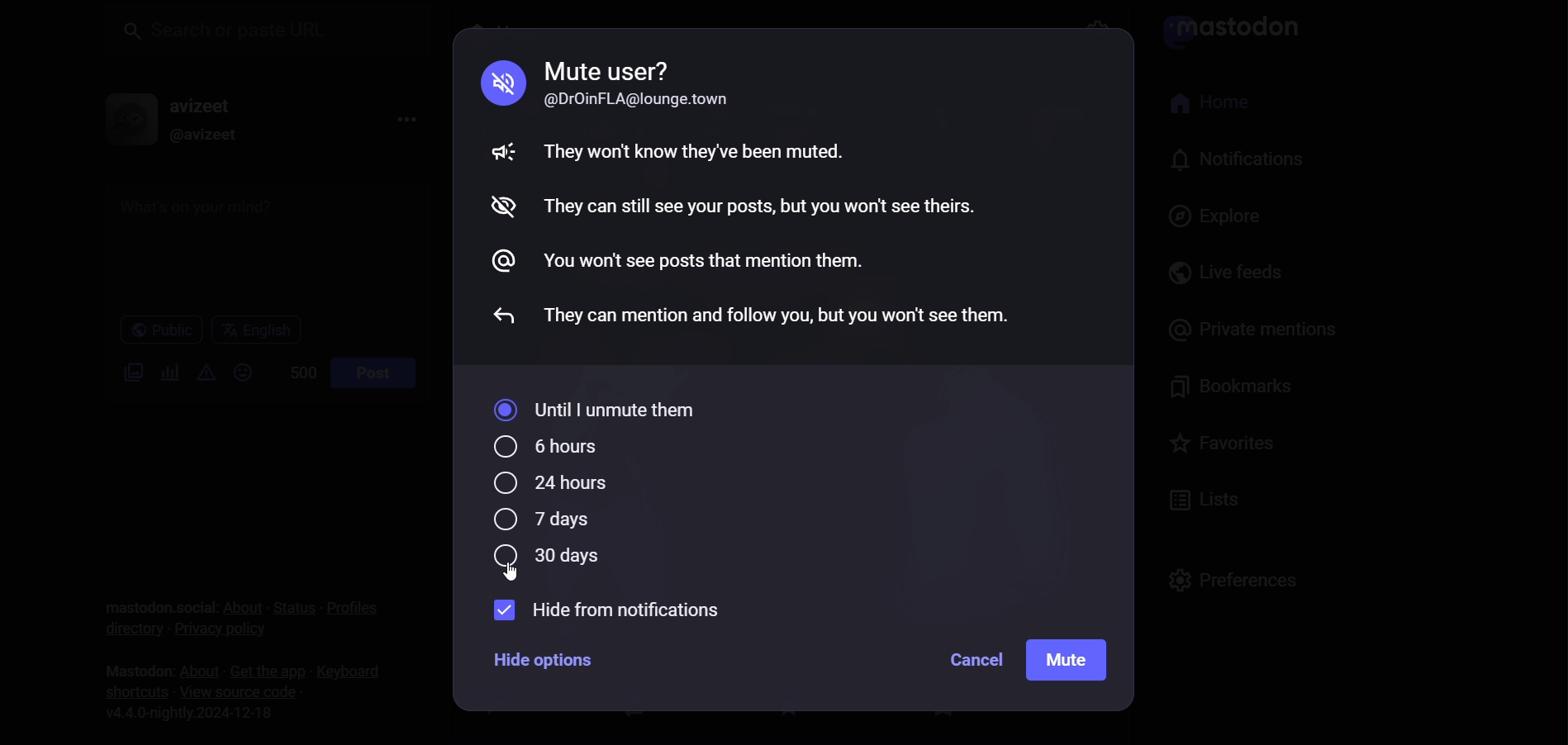  I want to click on 30 days, so click(544, 558).